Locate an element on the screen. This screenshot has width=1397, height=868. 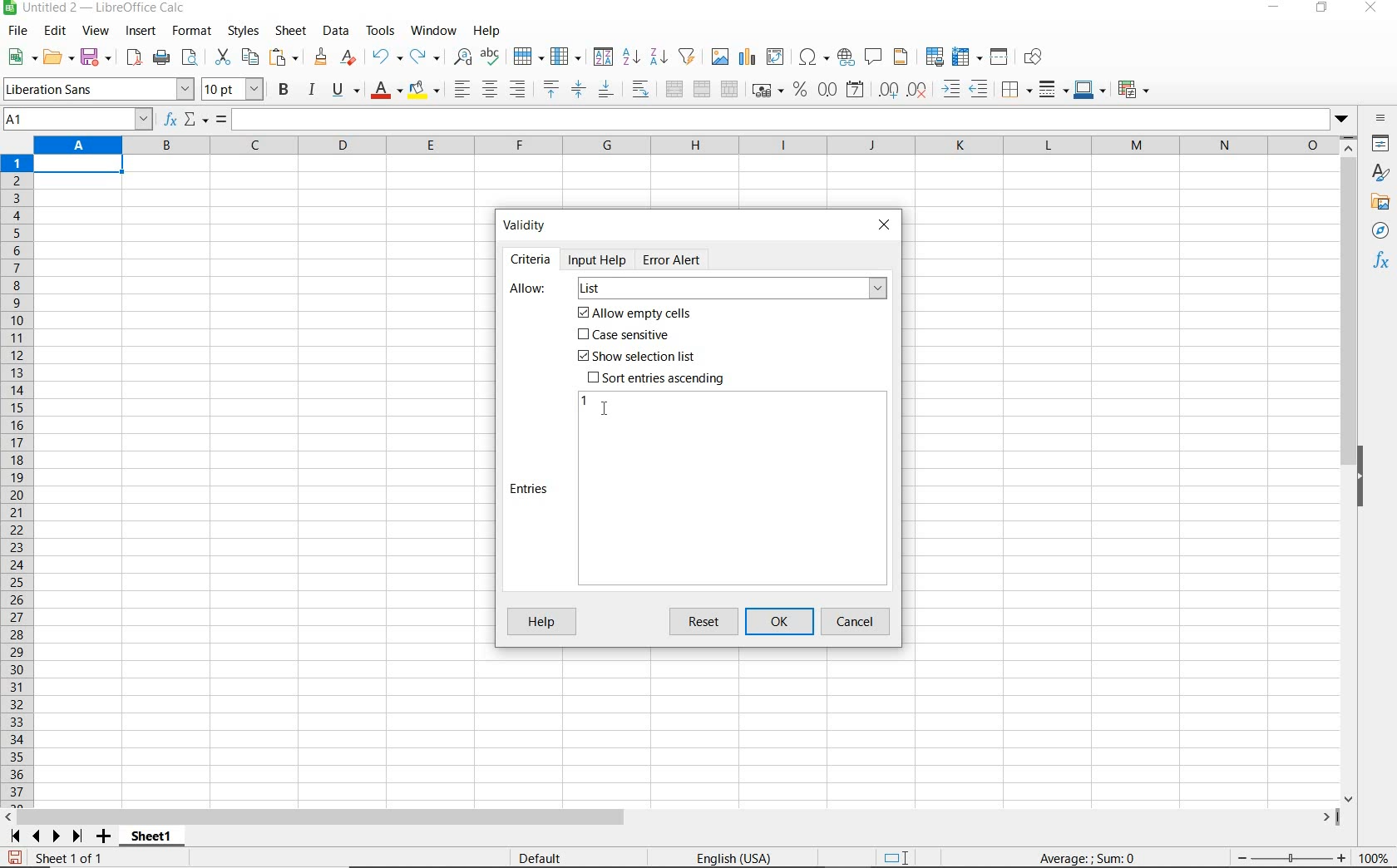
new is located at coordinates (22, 57).